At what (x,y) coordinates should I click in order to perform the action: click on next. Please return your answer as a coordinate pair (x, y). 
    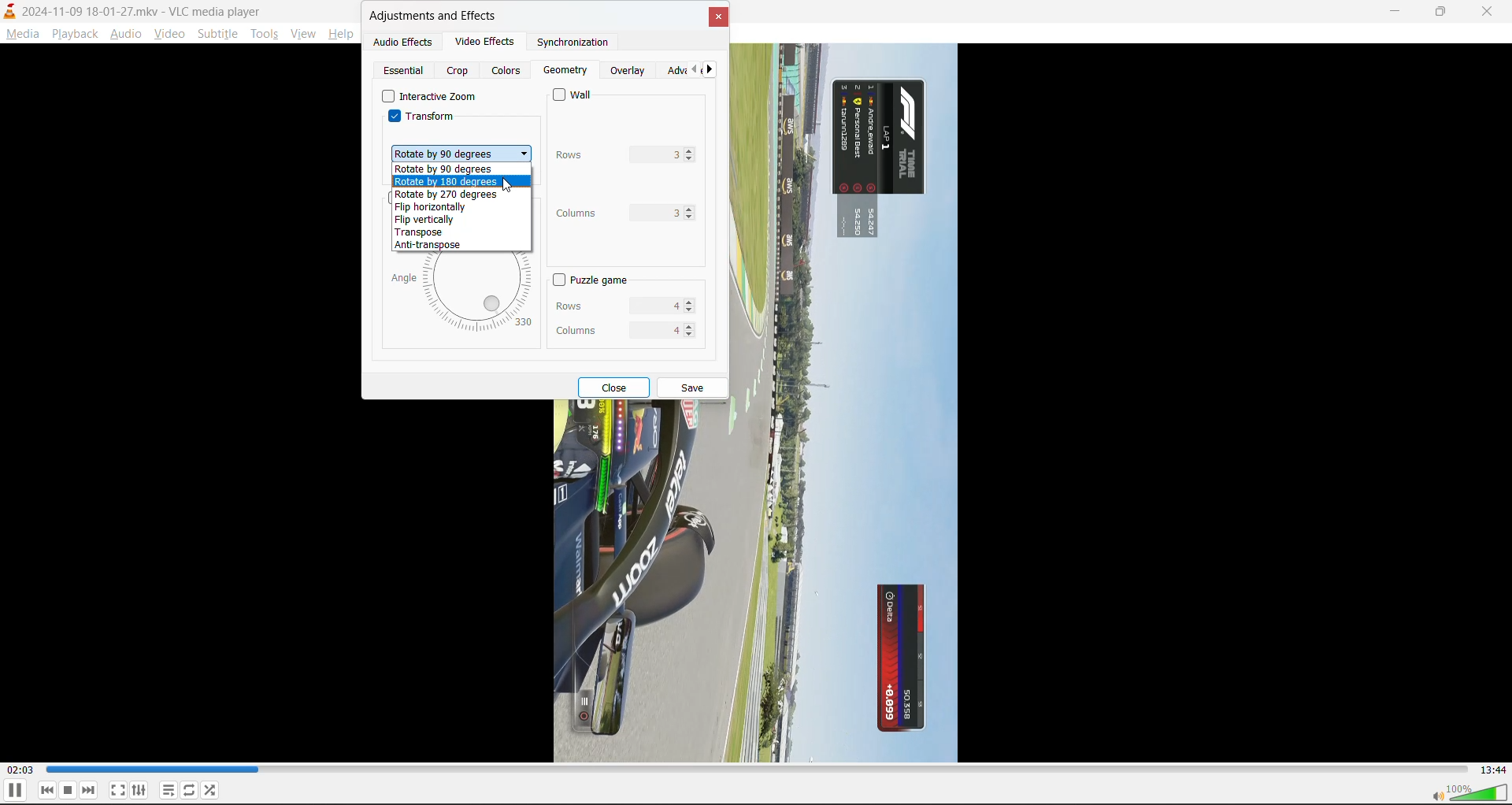
    Looking at the image, I should click on (713, 72).